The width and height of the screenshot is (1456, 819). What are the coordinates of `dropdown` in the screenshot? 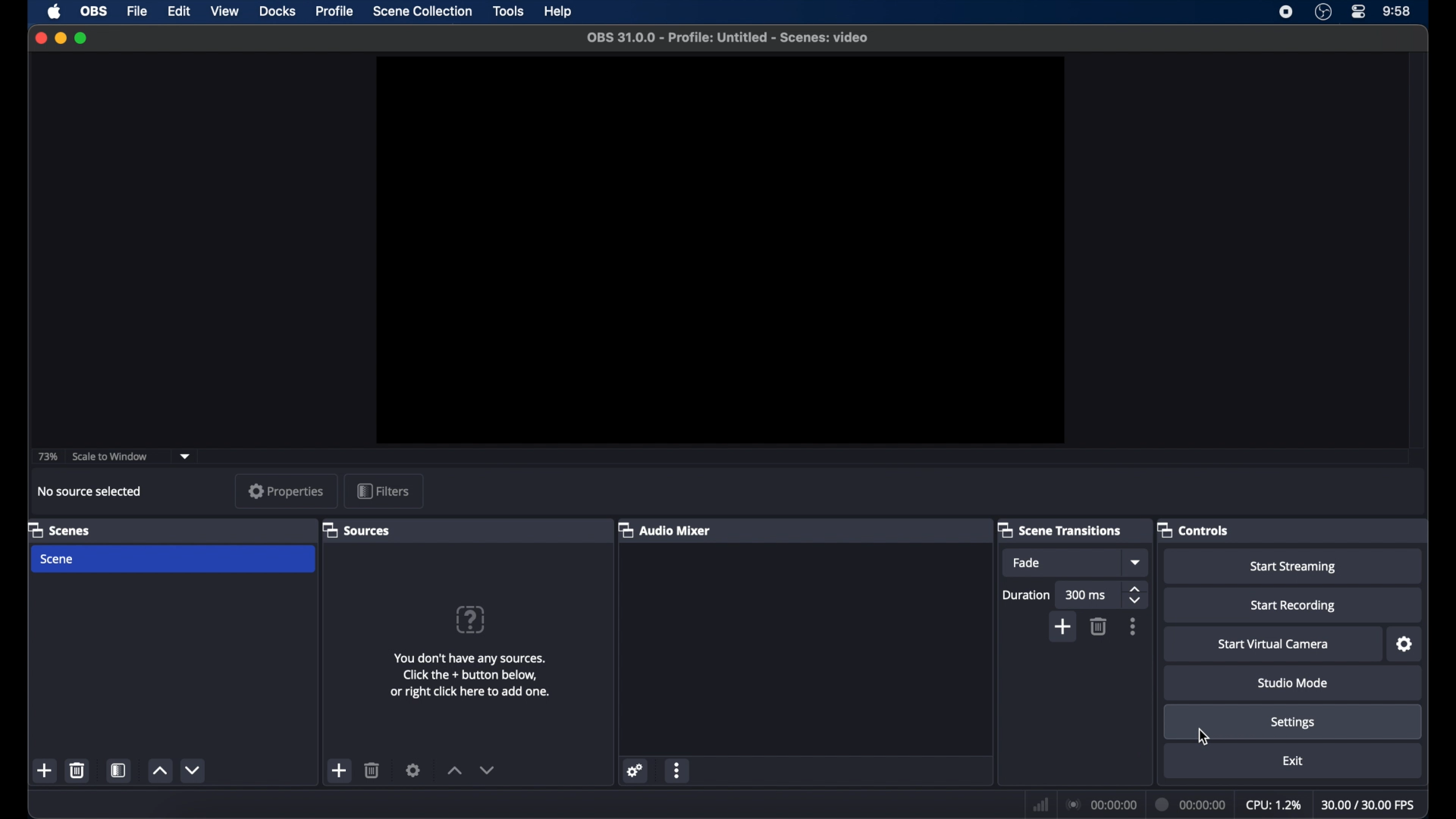 It's located at (1137, 562).